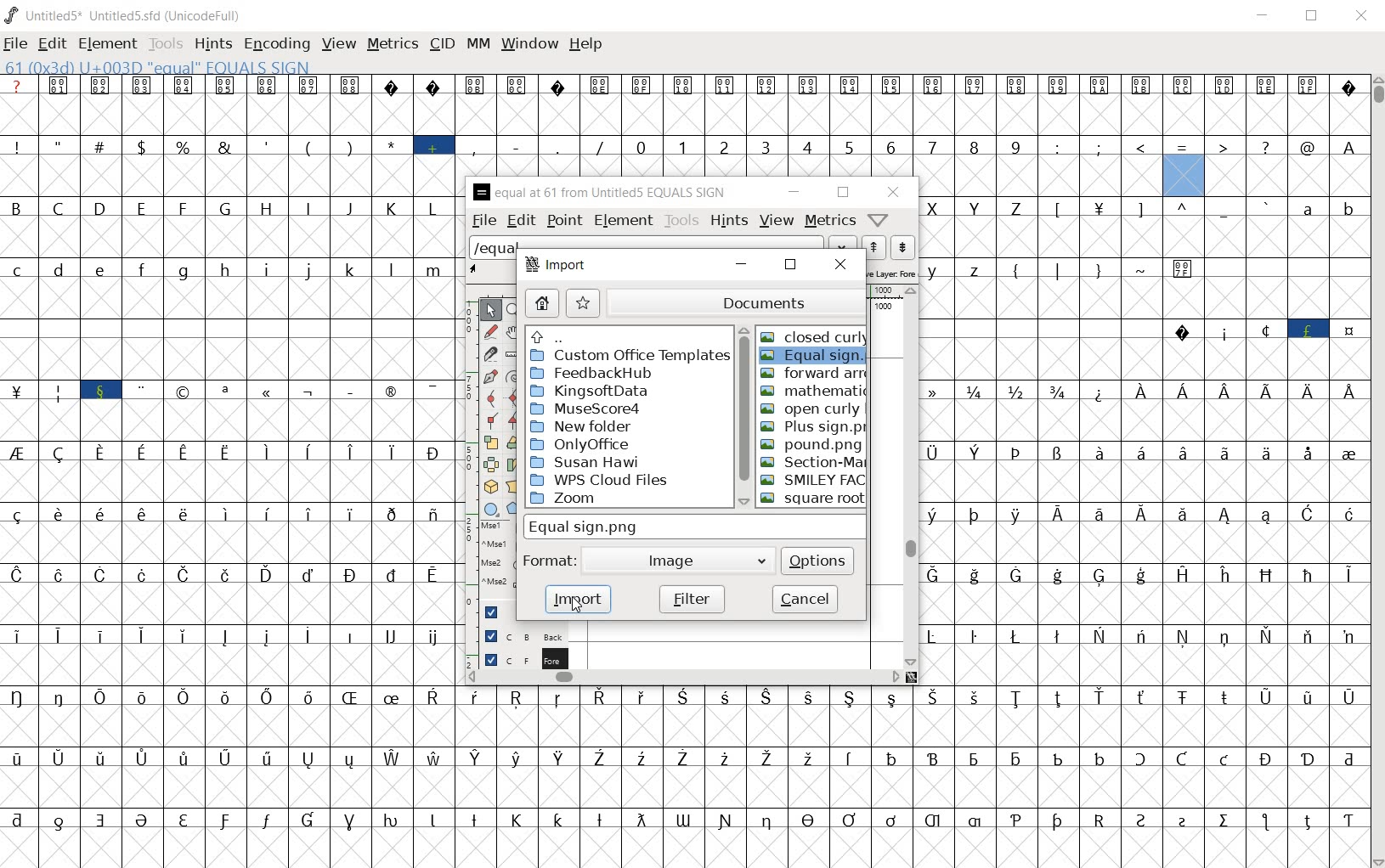 The height and width of the screenshot is (868, 1385). Describe the element at coordinates (904, 247) in the screenshot. I see `show the previous word on the list` at that location.